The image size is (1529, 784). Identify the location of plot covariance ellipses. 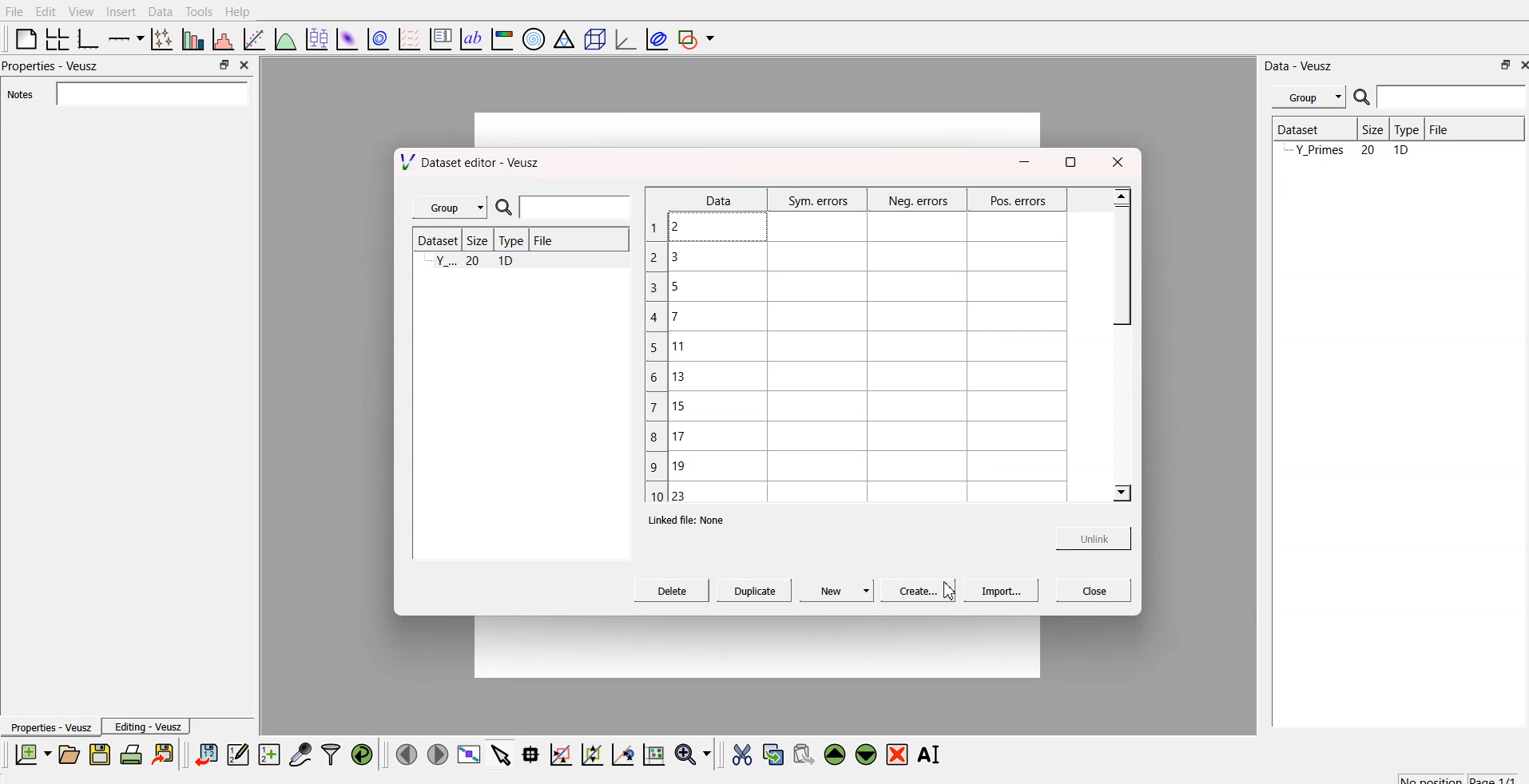
(657, 38).